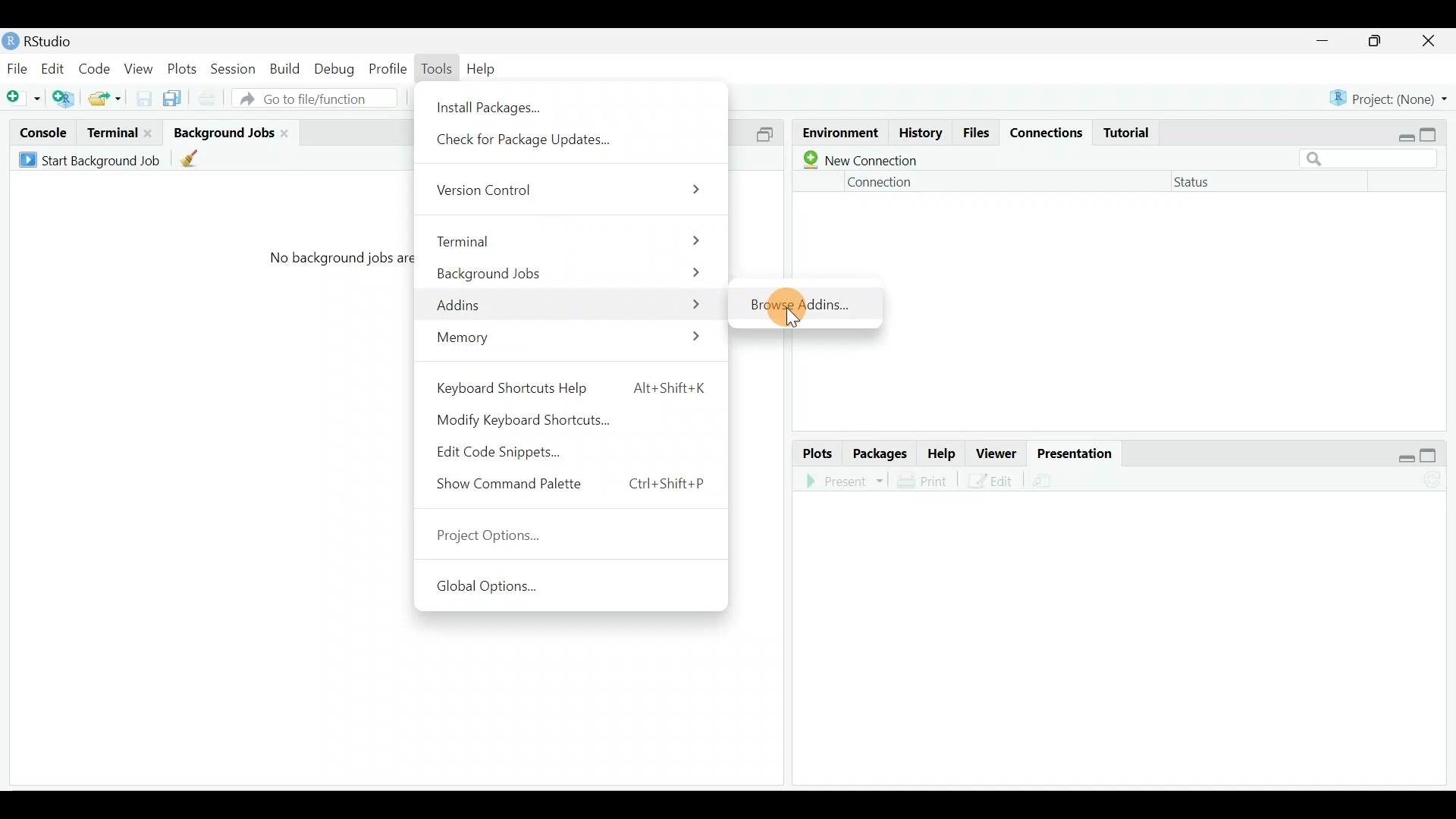  I want to click on Version Control >, so click(573, 191).